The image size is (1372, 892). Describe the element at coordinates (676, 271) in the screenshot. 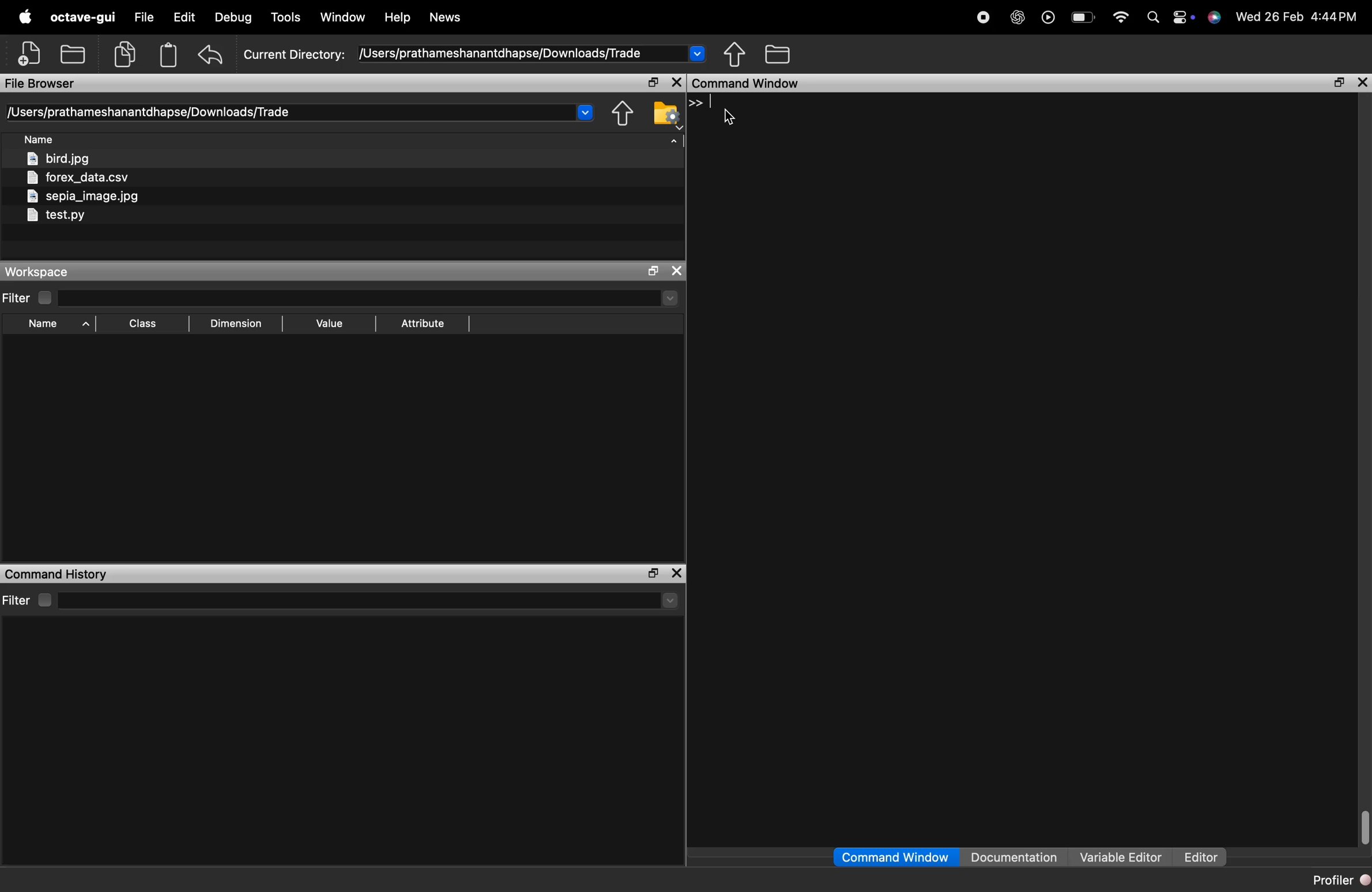

I see `close` at that location.